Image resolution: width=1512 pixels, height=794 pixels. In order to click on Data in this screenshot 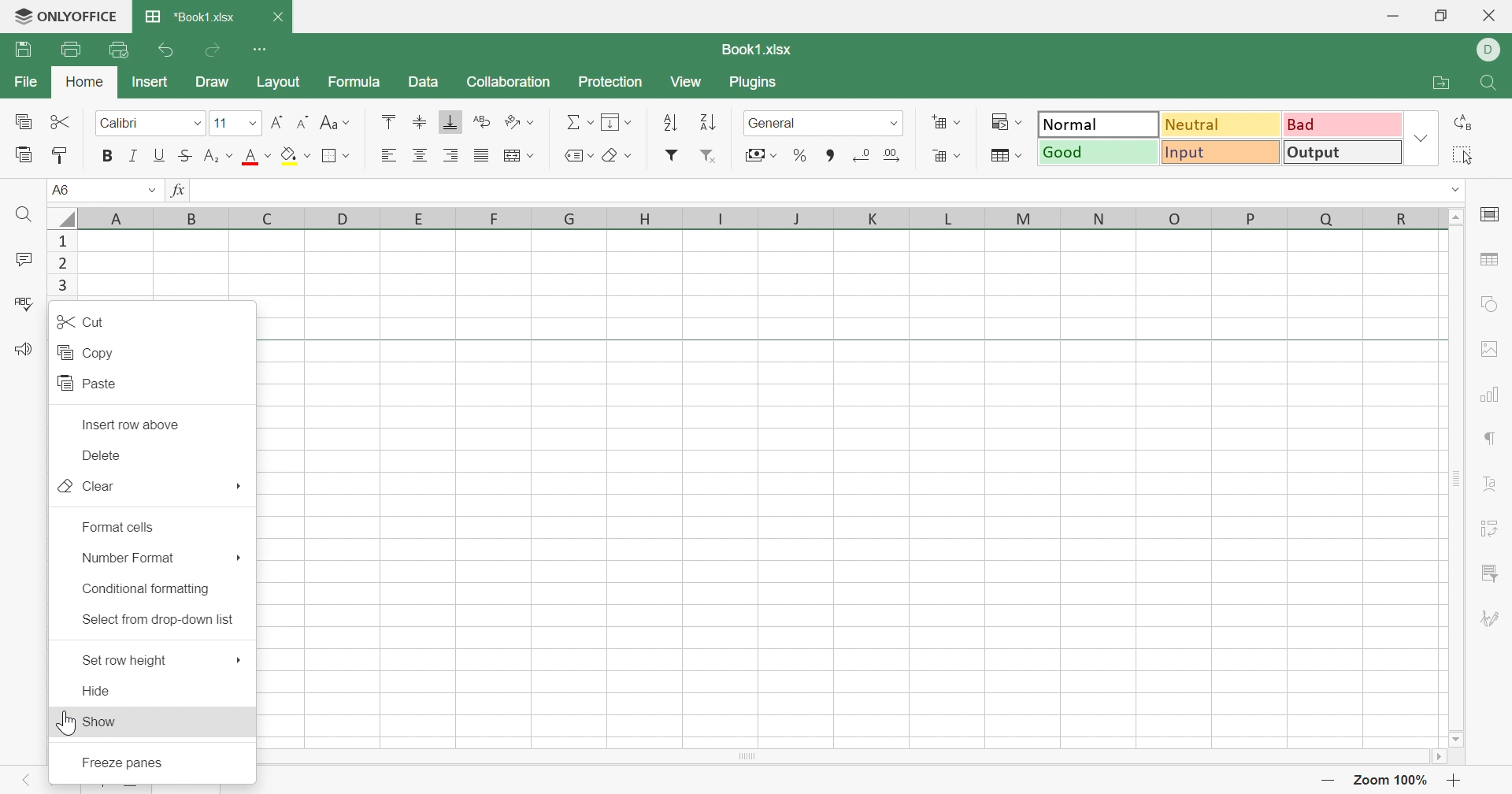, I will do `click(423, 82)`.